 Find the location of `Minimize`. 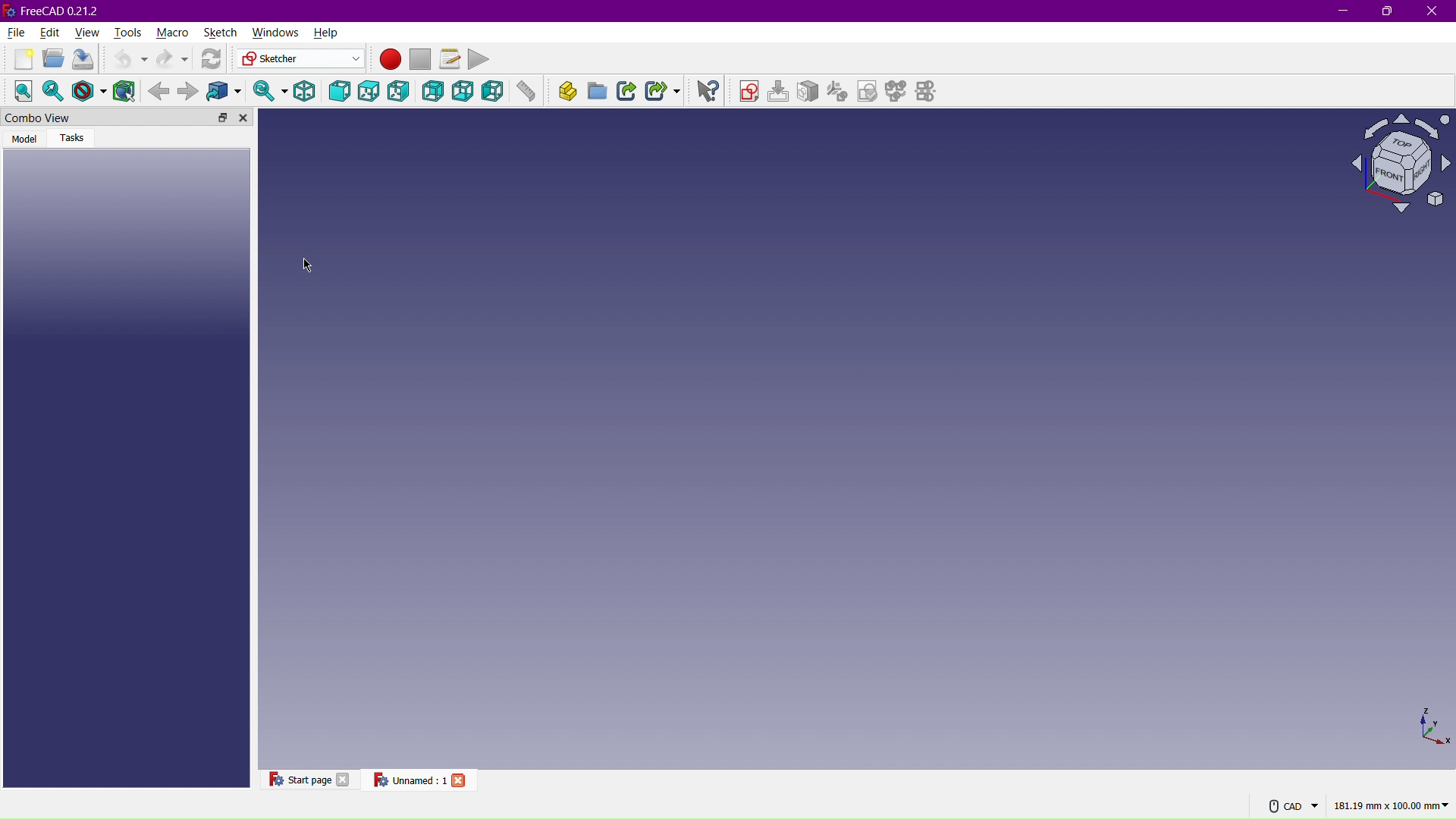

Minimize is located at coordinates (1343, 11).